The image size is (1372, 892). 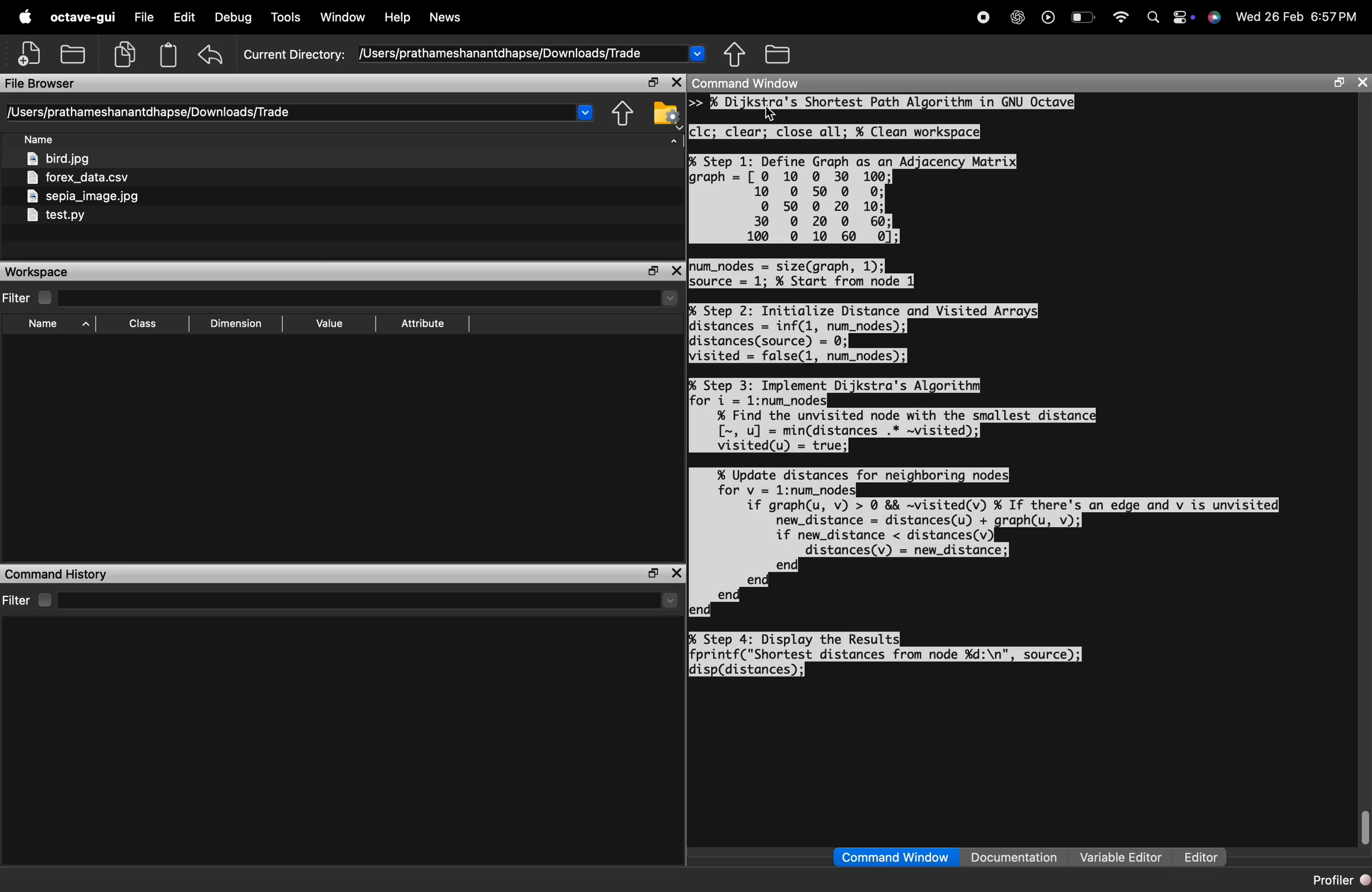 I want to click on wifi, so click(x=1124, y=18).